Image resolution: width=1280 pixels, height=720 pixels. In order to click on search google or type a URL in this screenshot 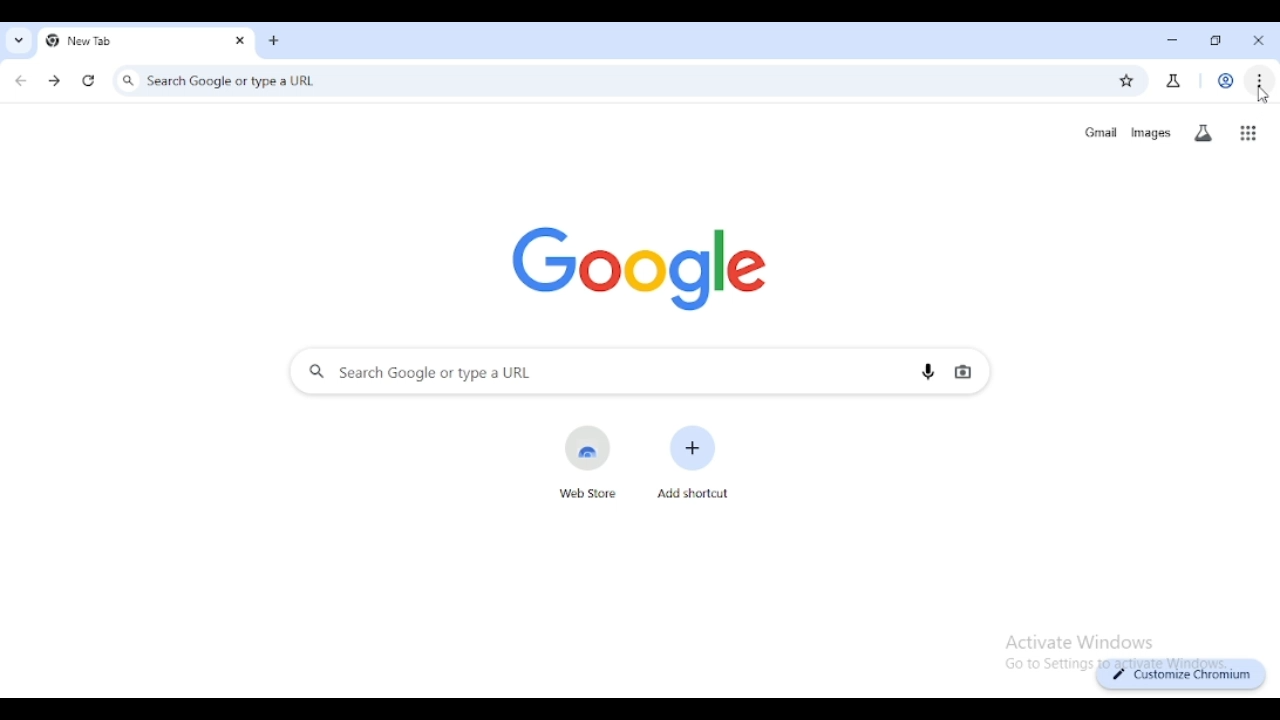, I will do `click(594, 80)`.